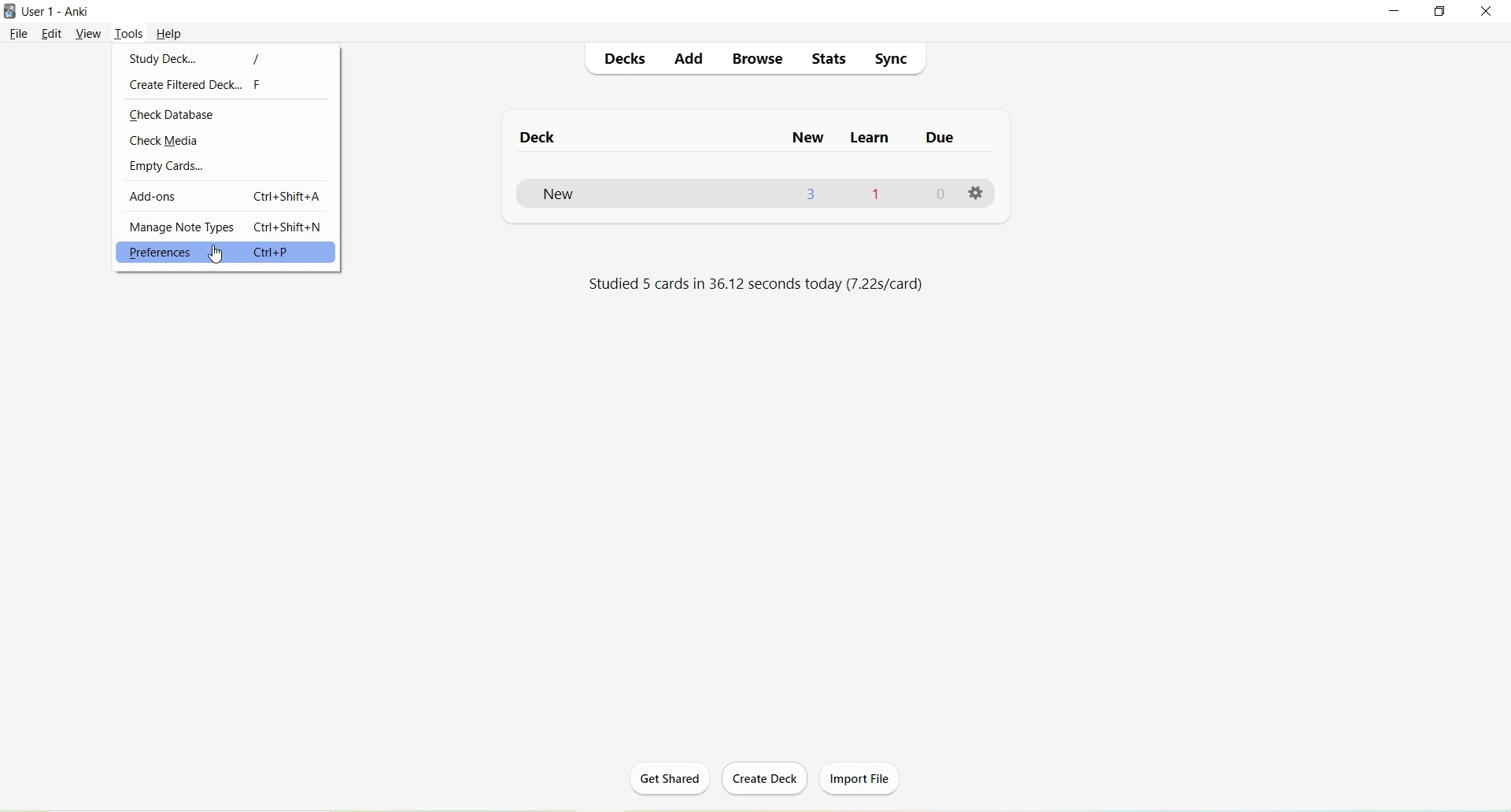  I want to click on Browse, so click(759, 59).